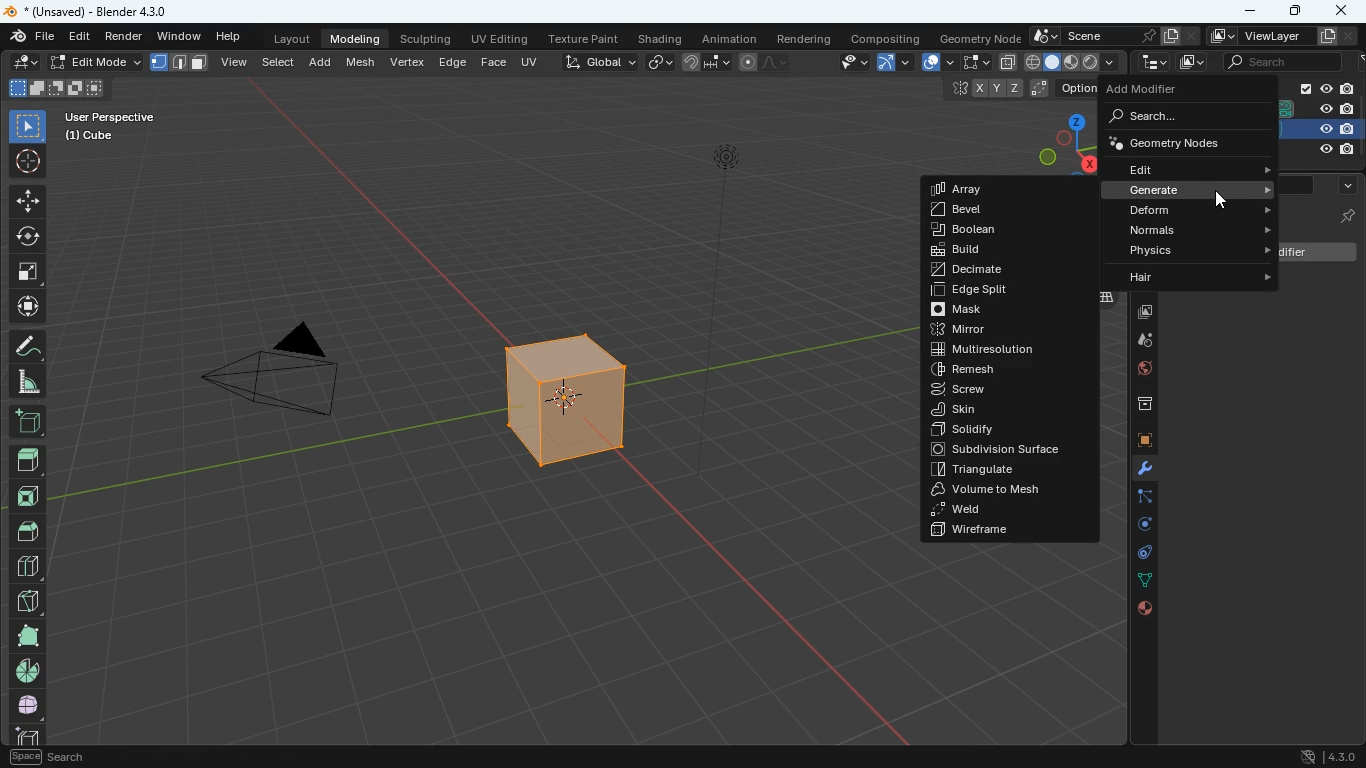  Describe the element at coordinates (1141, 442) in the screenshot. I see `cube` at that location.